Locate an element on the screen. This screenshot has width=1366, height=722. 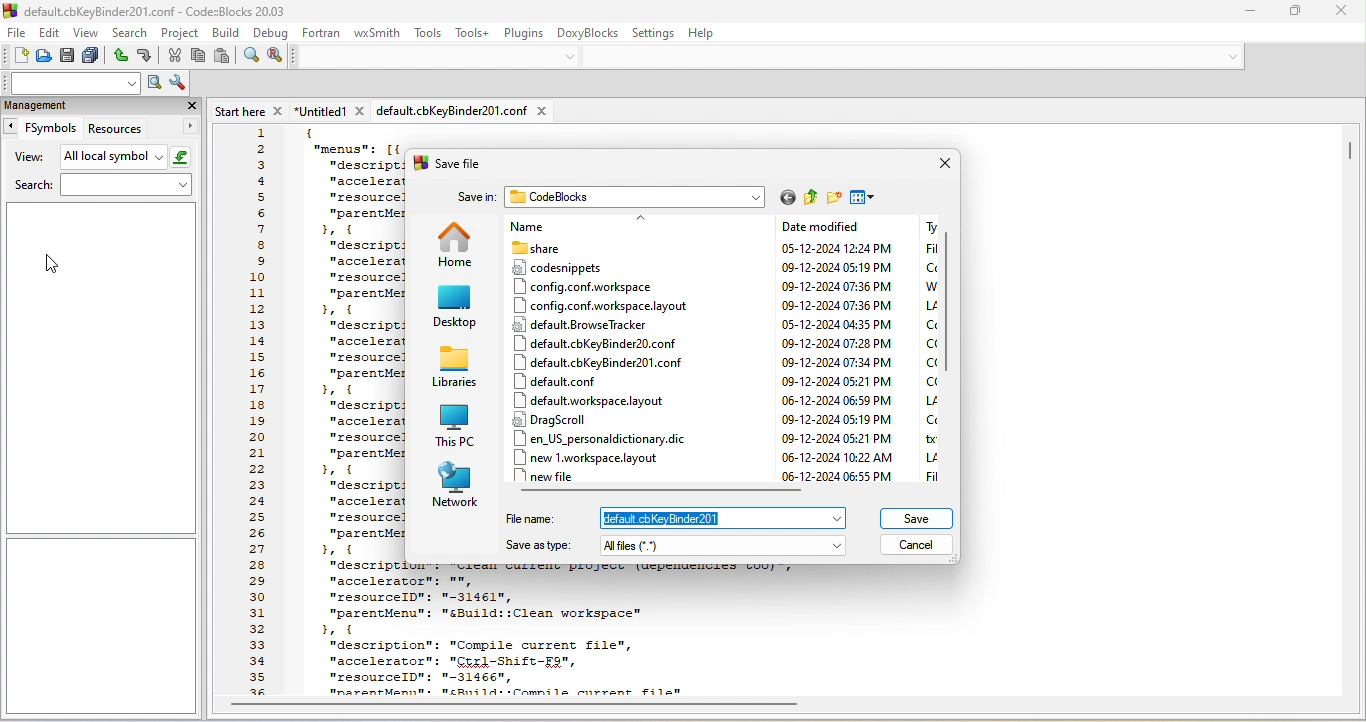
new is located at coordinates (15, 57).